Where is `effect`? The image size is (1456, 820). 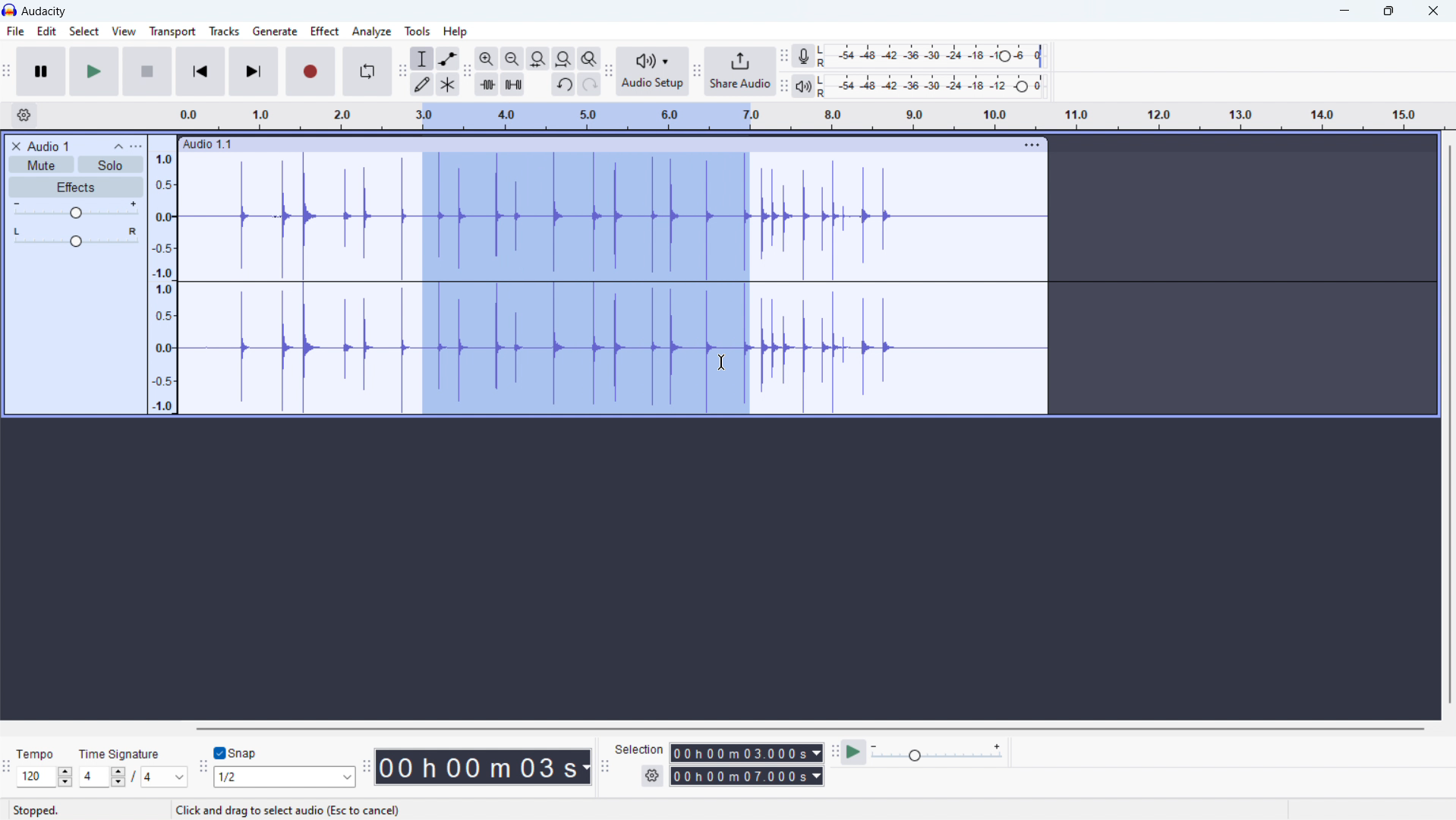 effect is located at coordinates (325, 31).